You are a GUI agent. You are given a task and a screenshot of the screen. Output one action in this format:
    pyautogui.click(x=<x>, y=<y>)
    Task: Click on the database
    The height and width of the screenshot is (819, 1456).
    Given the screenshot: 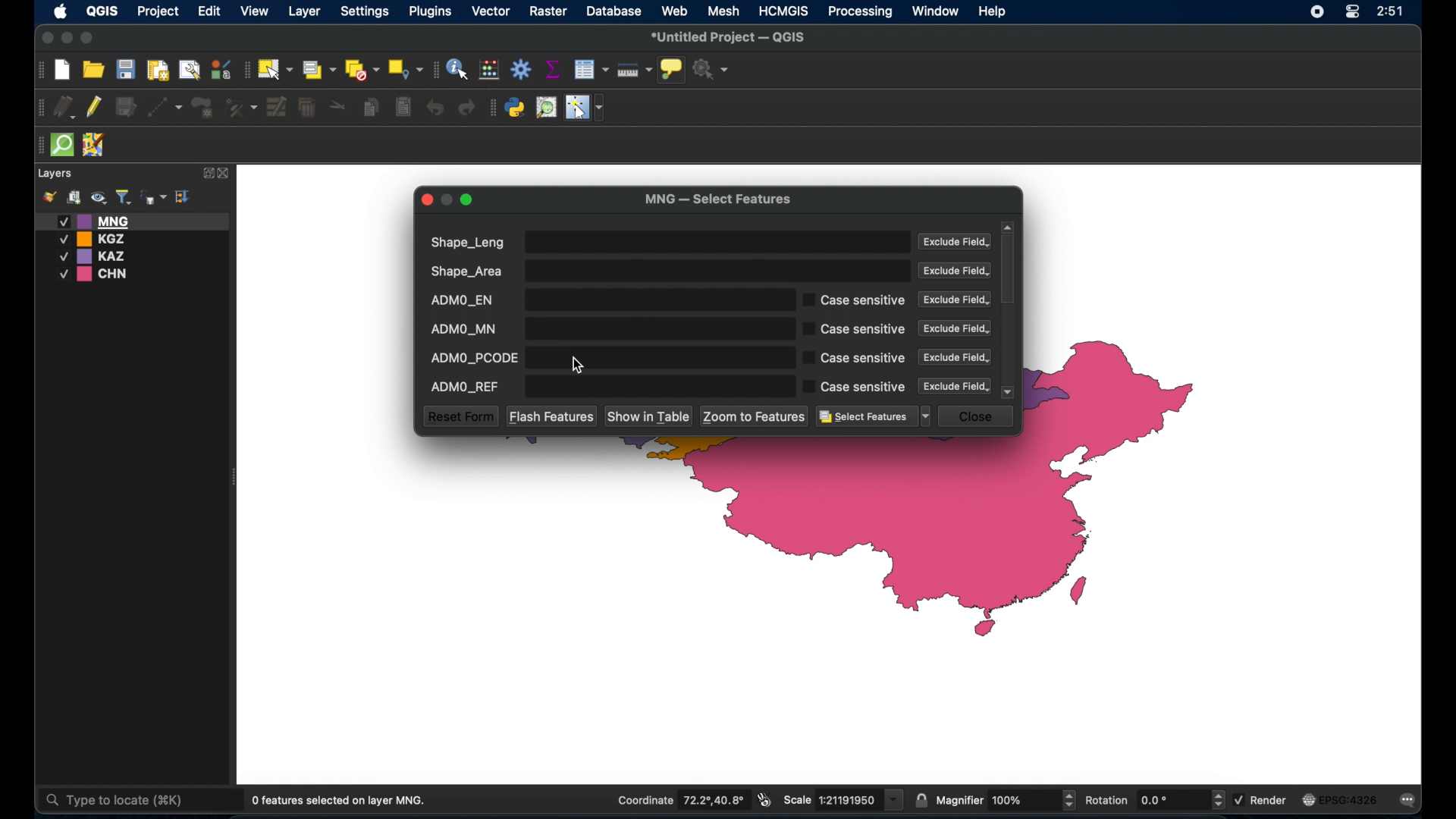 What is the action you would take?
    pyautogui.click(x=613, y=11)
    